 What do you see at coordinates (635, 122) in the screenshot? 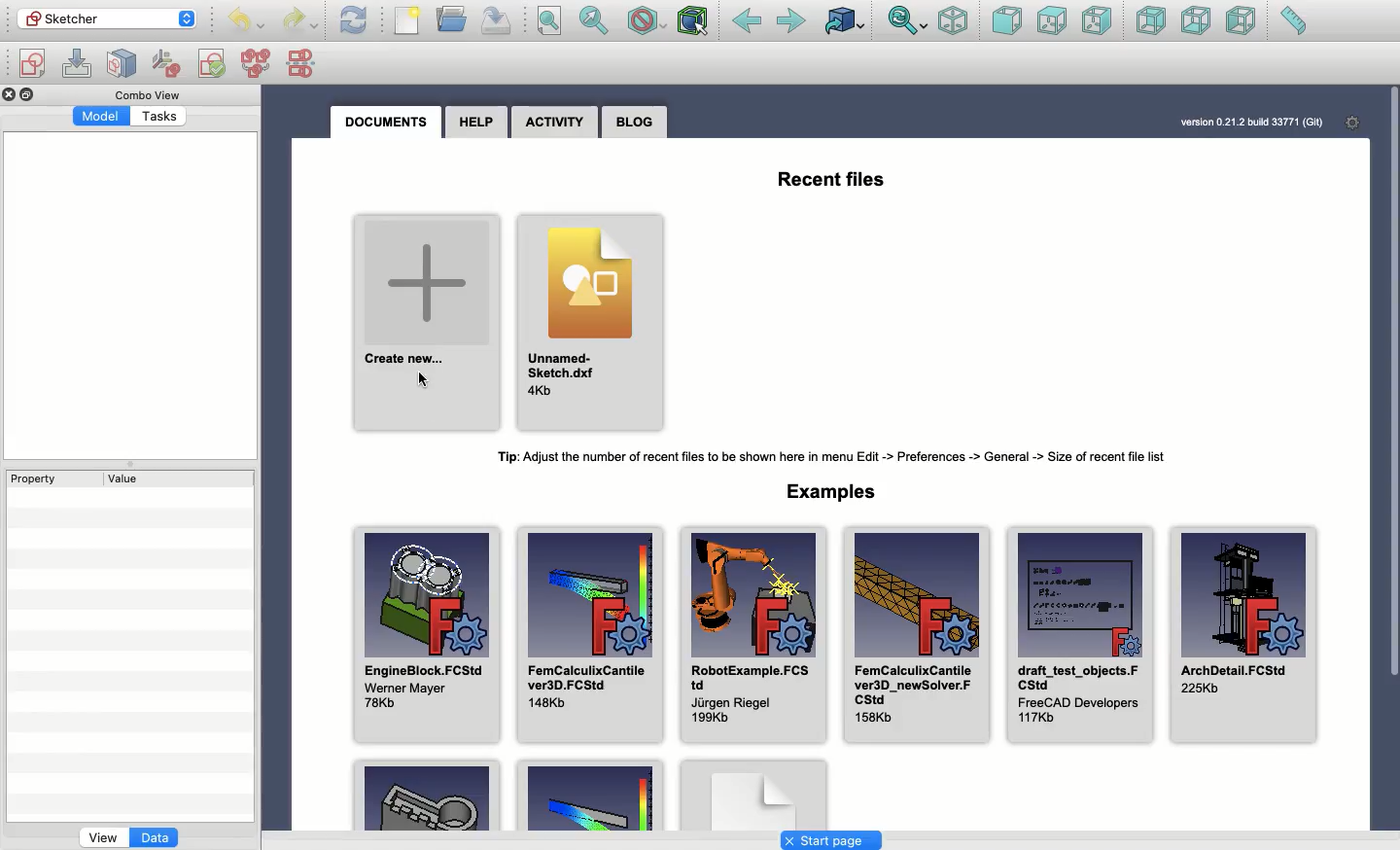
I see `Blog` at bounding box center [635, 122].